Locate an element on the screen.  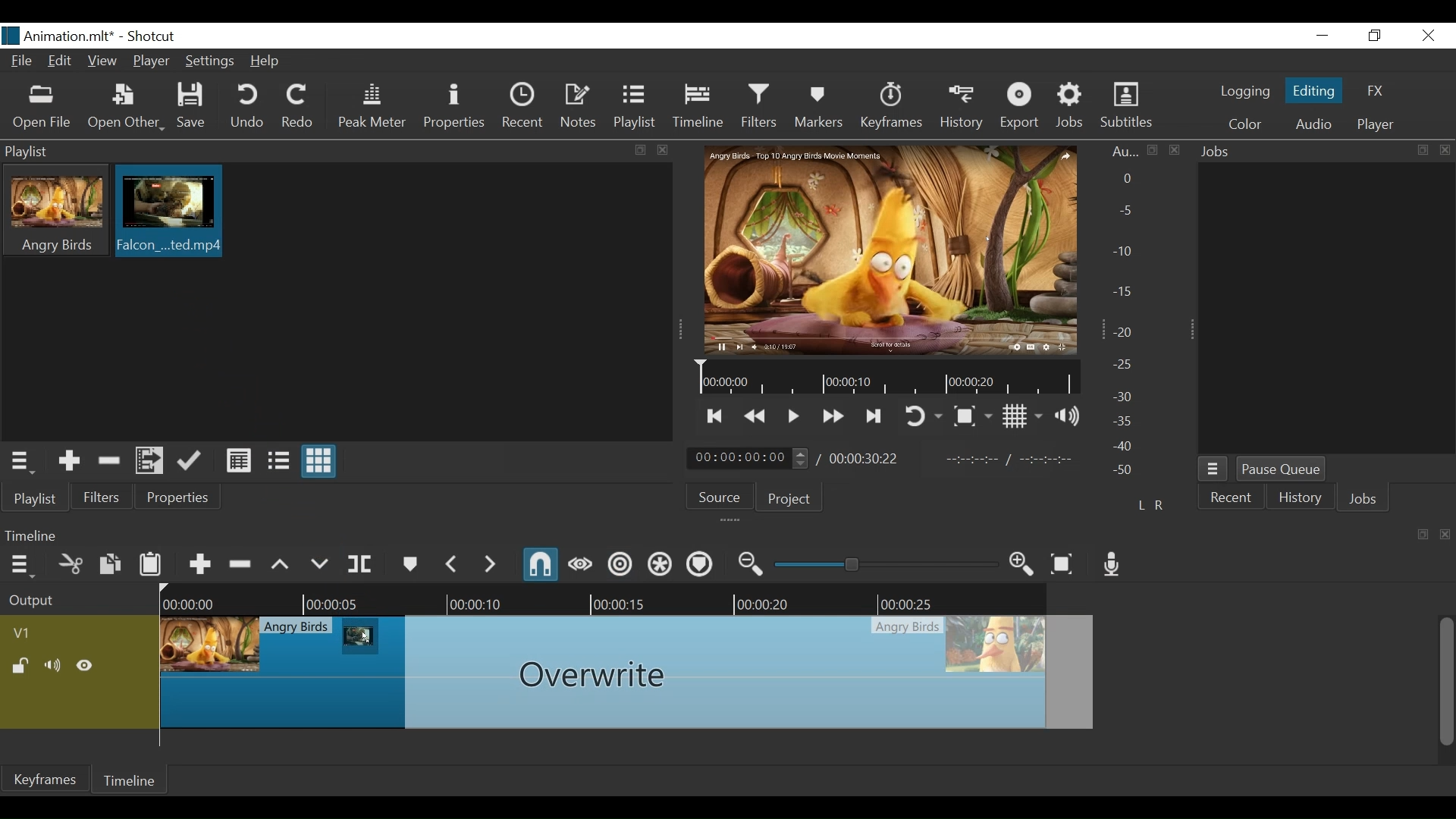
View as Detail is located at coordinates (238, 462).